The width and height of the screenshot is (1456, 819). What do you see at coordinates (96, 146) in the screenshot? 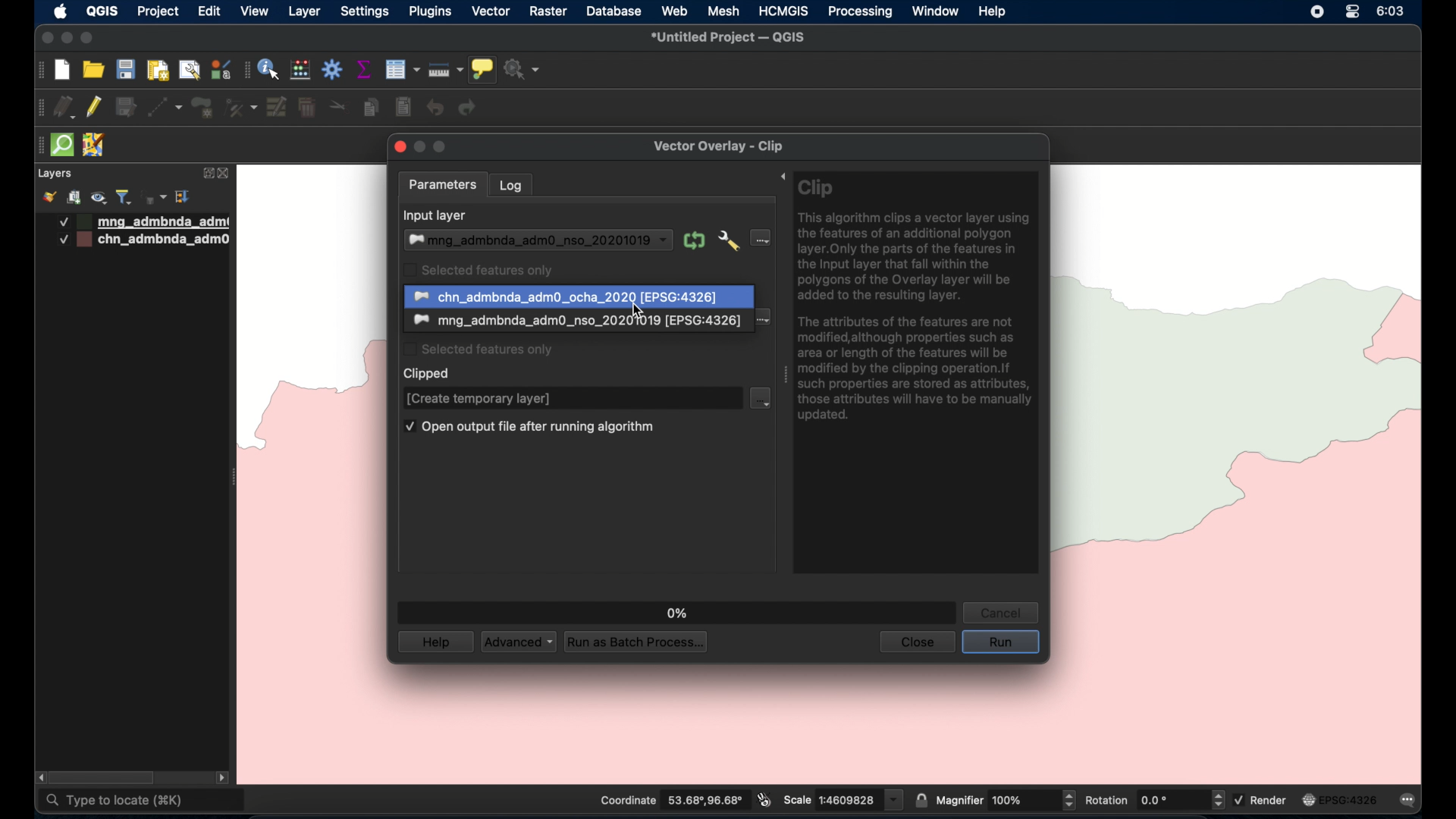
I see `jsom remote` at bounding box center [96, 146].